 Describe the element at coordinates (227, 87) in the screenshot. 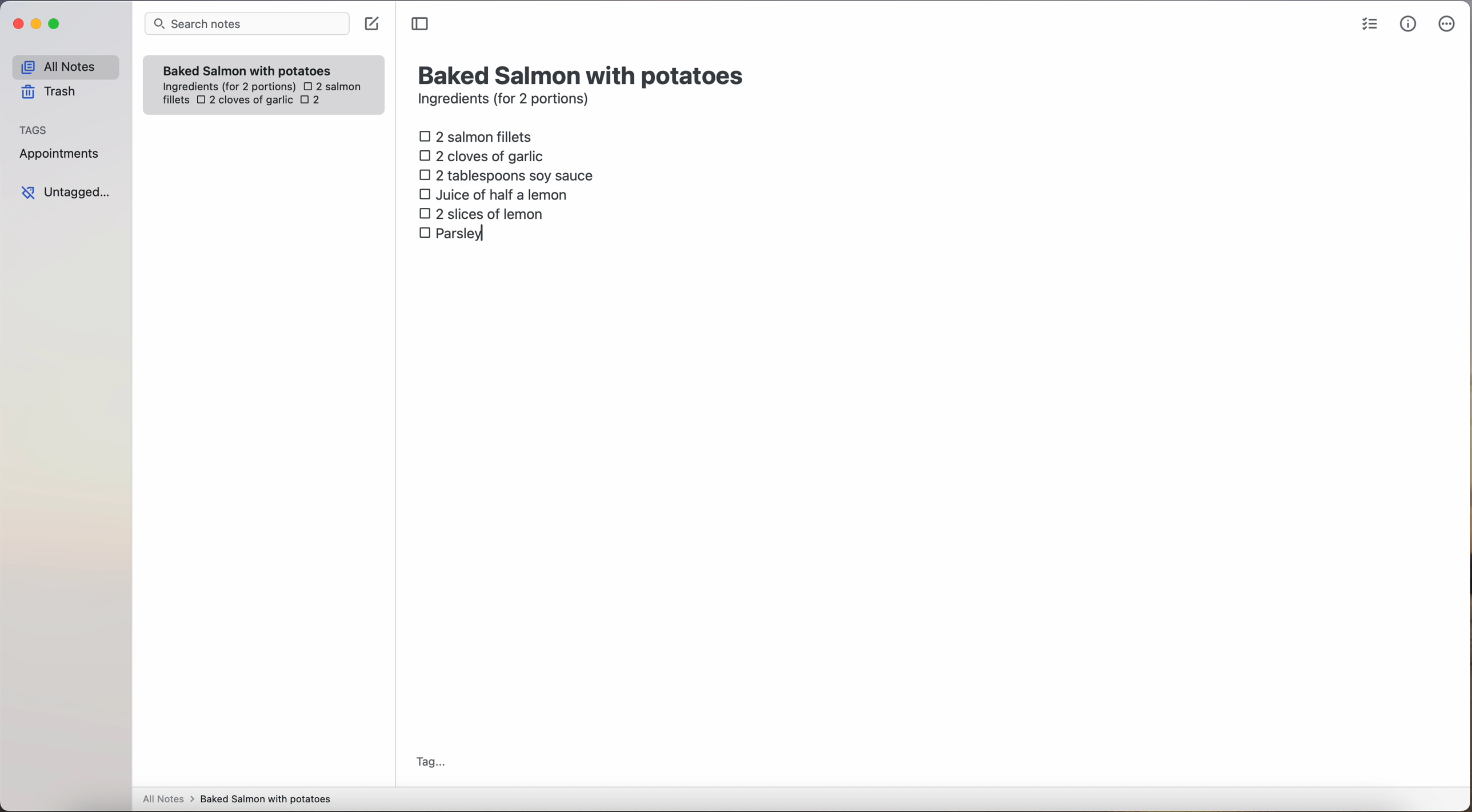

I see `ingredientes (for 2 portions)` at that location.